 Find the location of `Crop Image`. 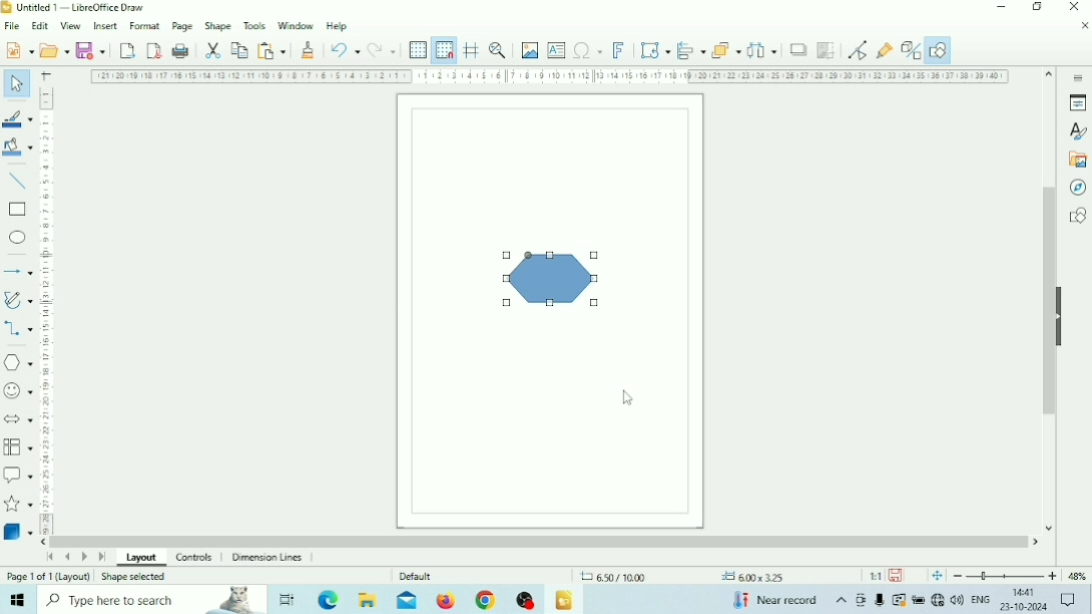

Crop Image is located at coordinates (825, 50).